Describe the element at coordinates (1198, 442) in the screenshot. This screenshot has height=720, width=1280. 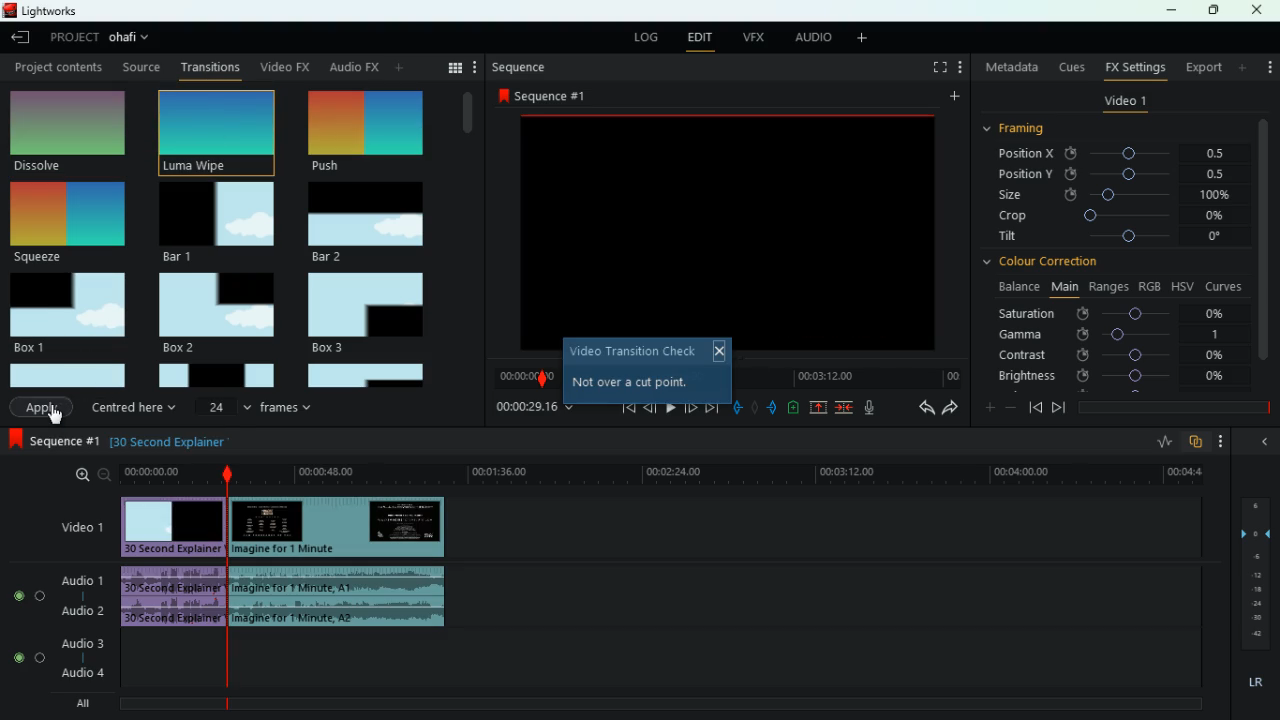
I see `overlap` at that location.